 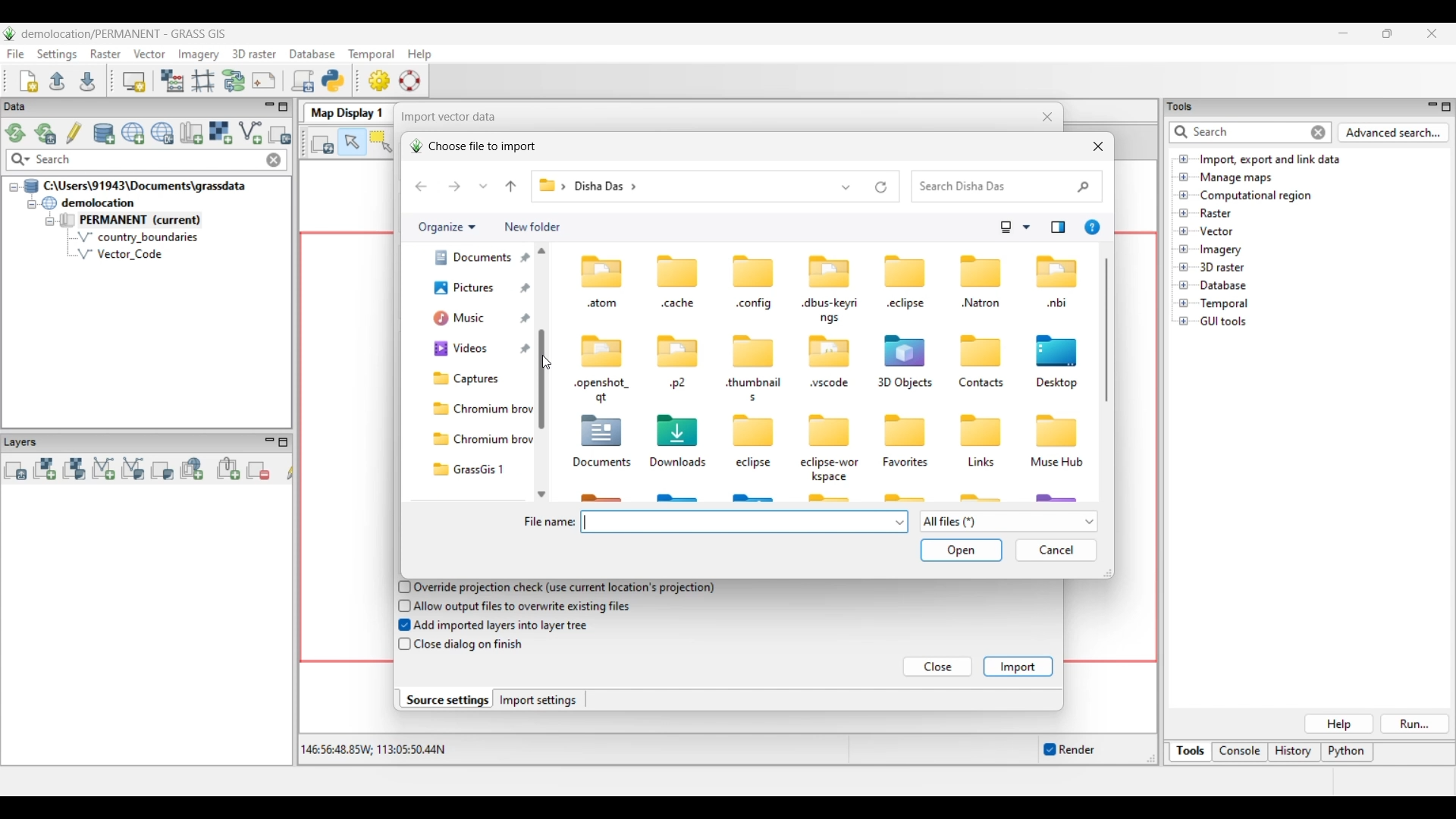 I want to click on nbi, so click(x=1058, y=304).